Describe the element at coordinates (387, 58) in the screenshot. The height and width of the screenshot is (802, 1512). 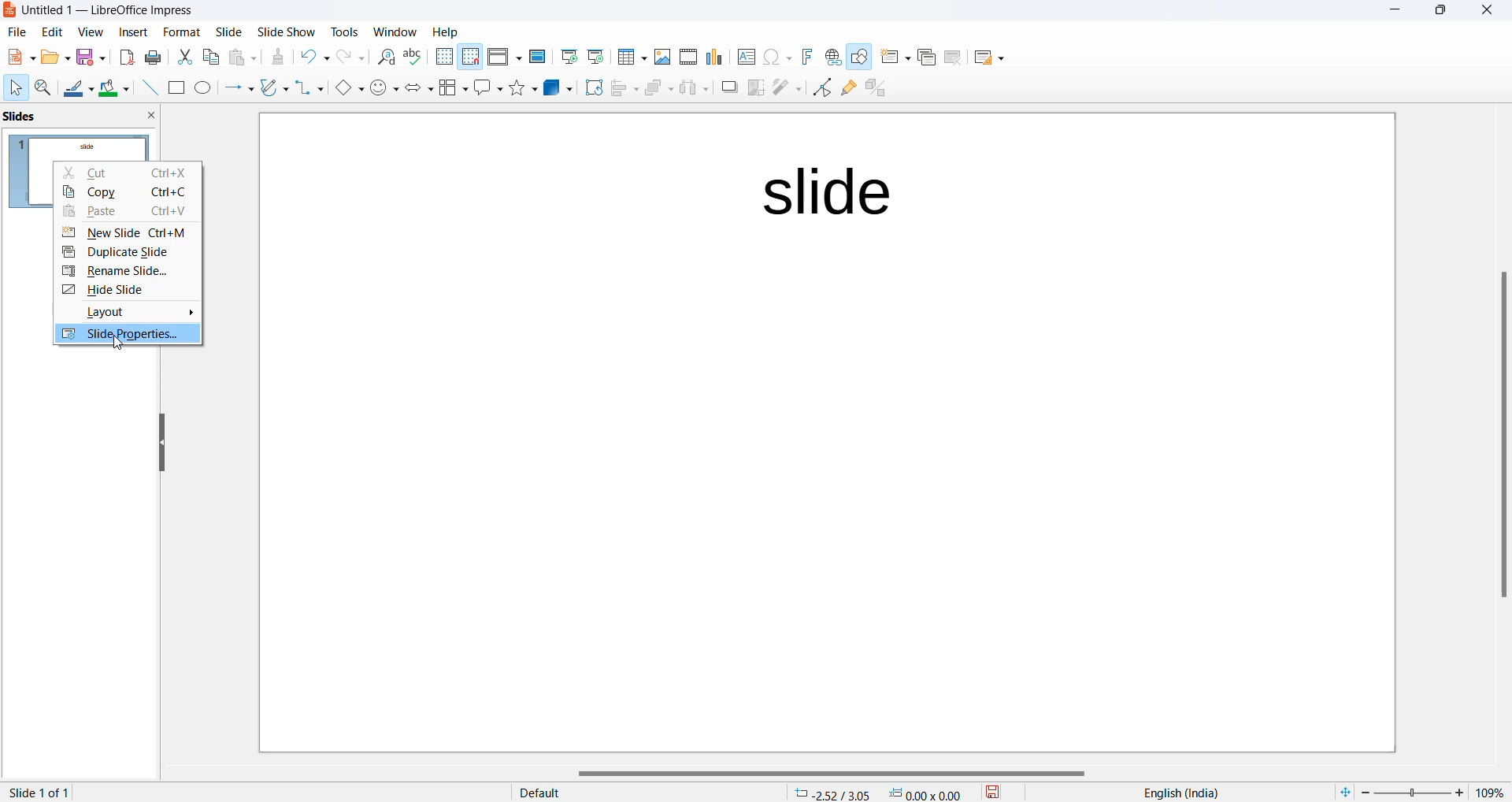
I see `find ` at that location.